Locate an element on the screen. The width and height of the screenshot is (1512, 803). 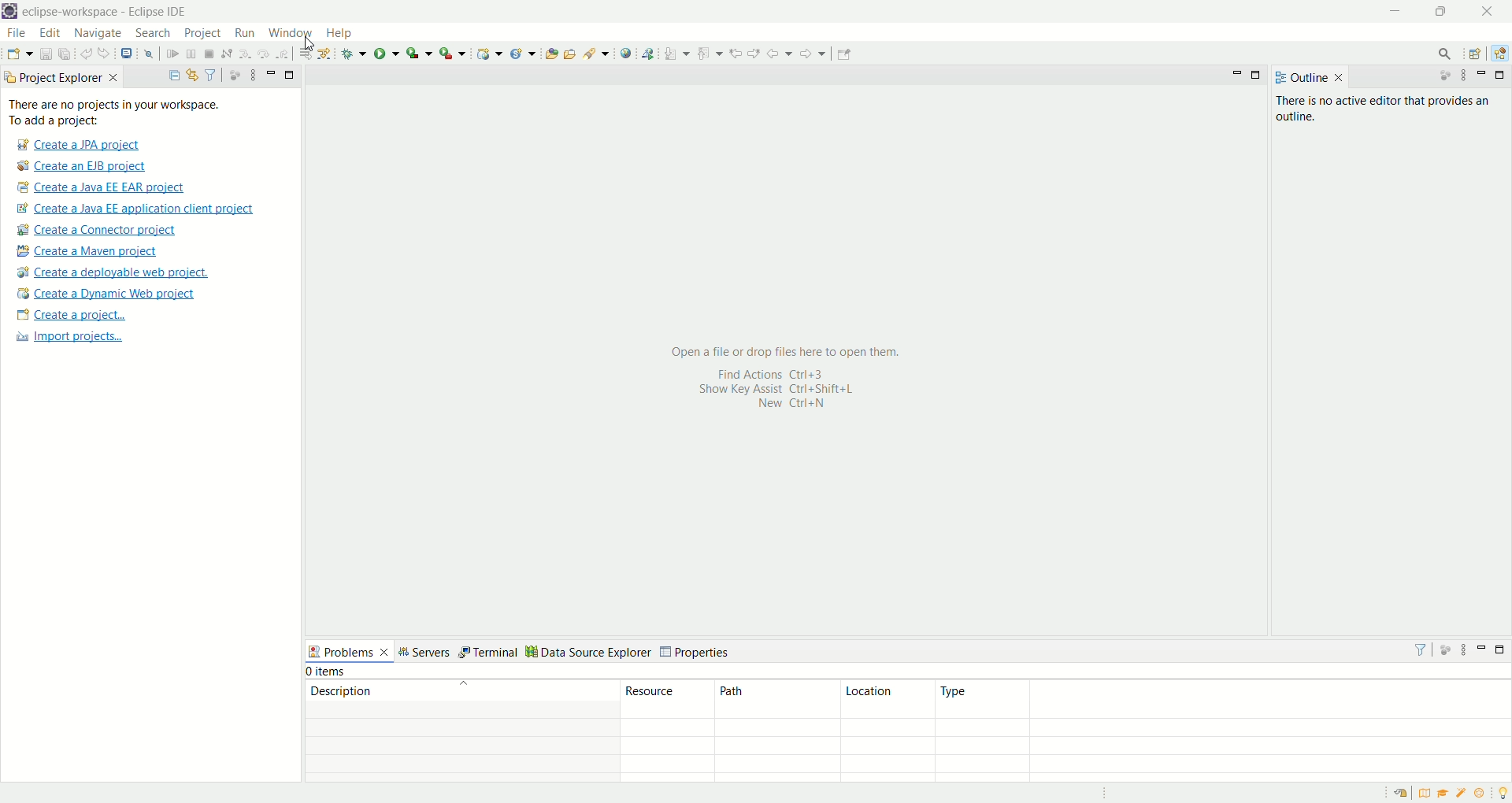
focus on active task is located at coordinates (1446, 650).